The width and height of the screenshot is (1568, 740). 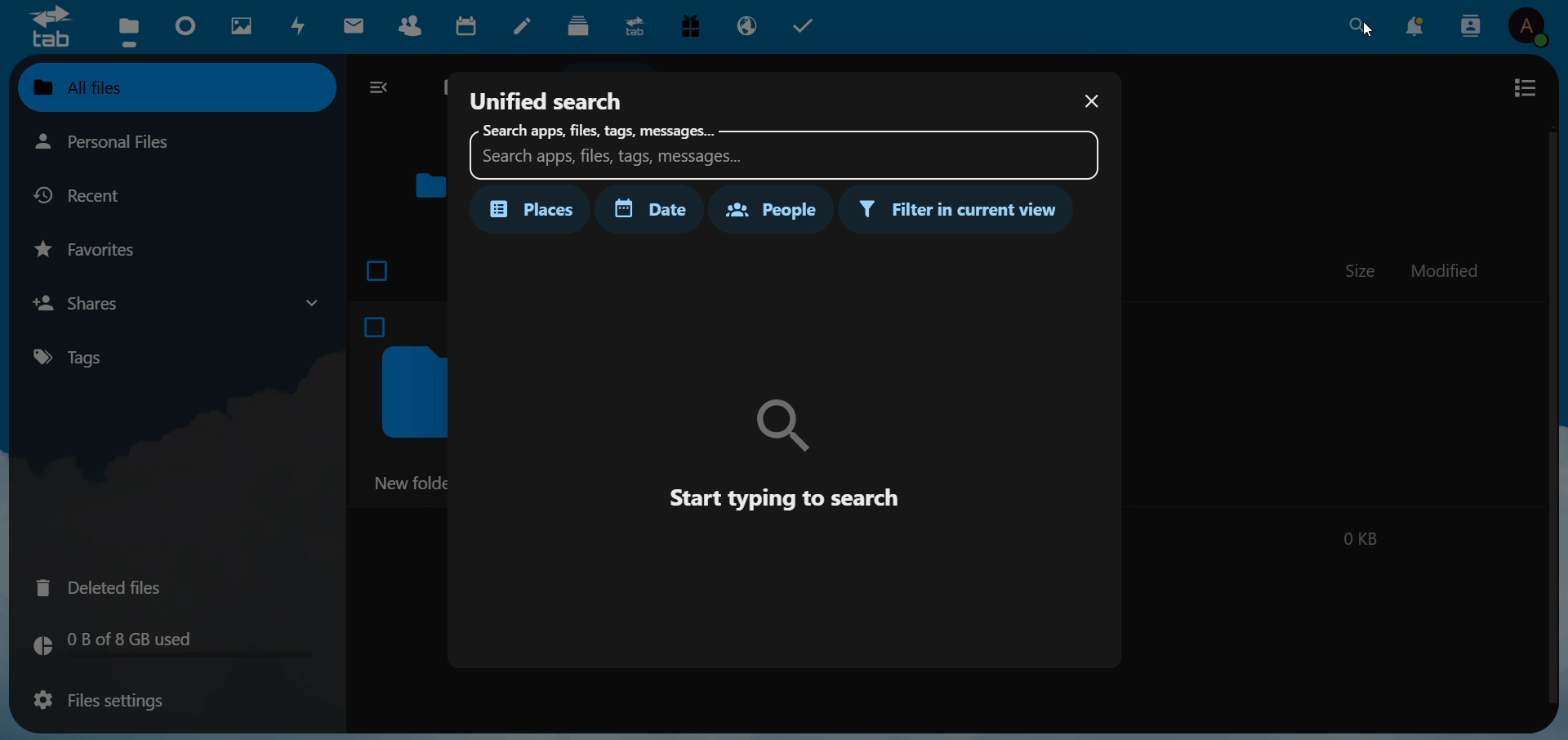 What do you see at coordinates (658, 209) in the screenshot?
I see `date` at bounding box center [658, 209].